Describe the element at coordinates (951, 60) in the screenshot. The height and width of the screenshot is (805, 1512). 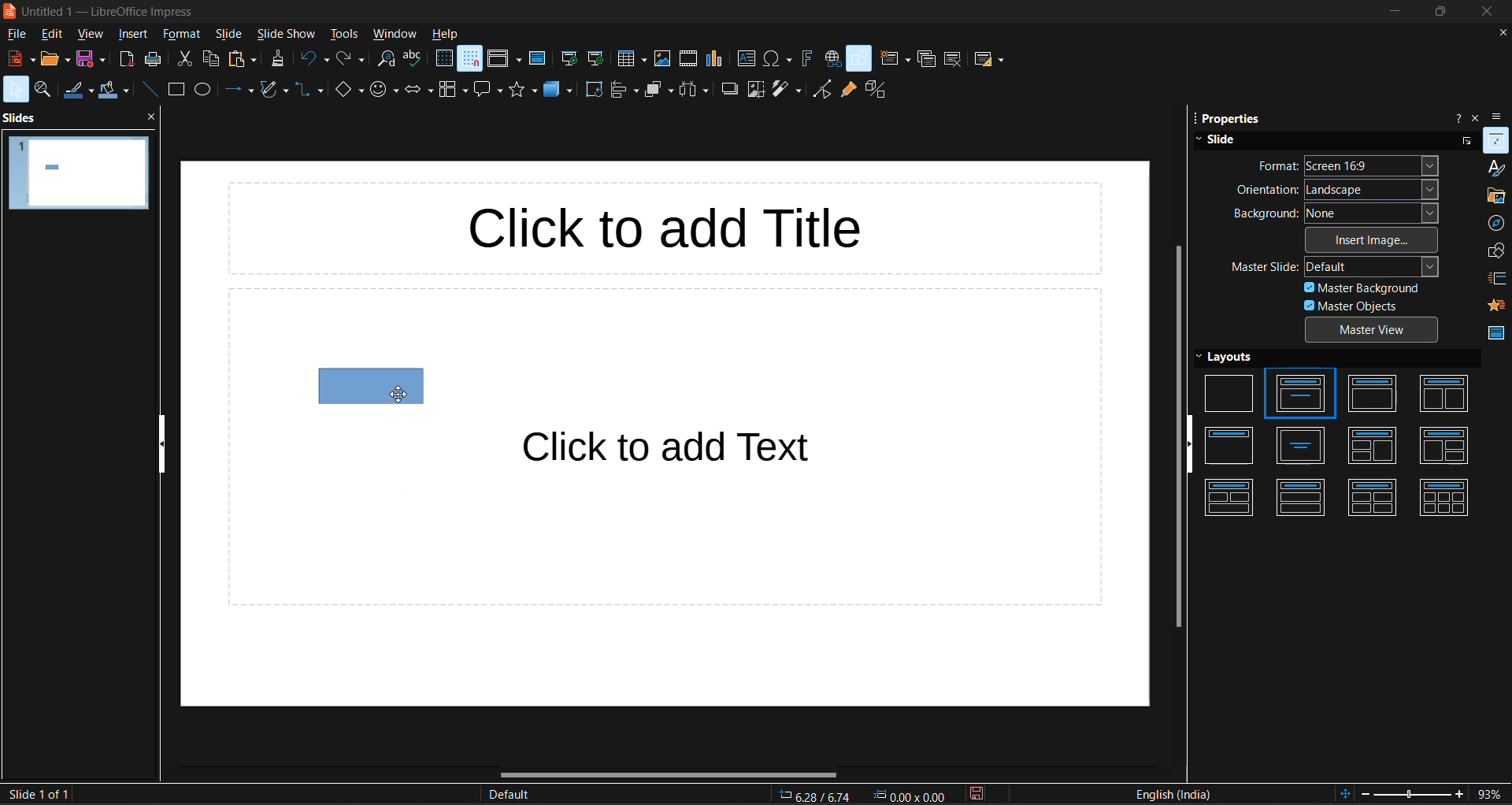
I see `delete slide` at that location.